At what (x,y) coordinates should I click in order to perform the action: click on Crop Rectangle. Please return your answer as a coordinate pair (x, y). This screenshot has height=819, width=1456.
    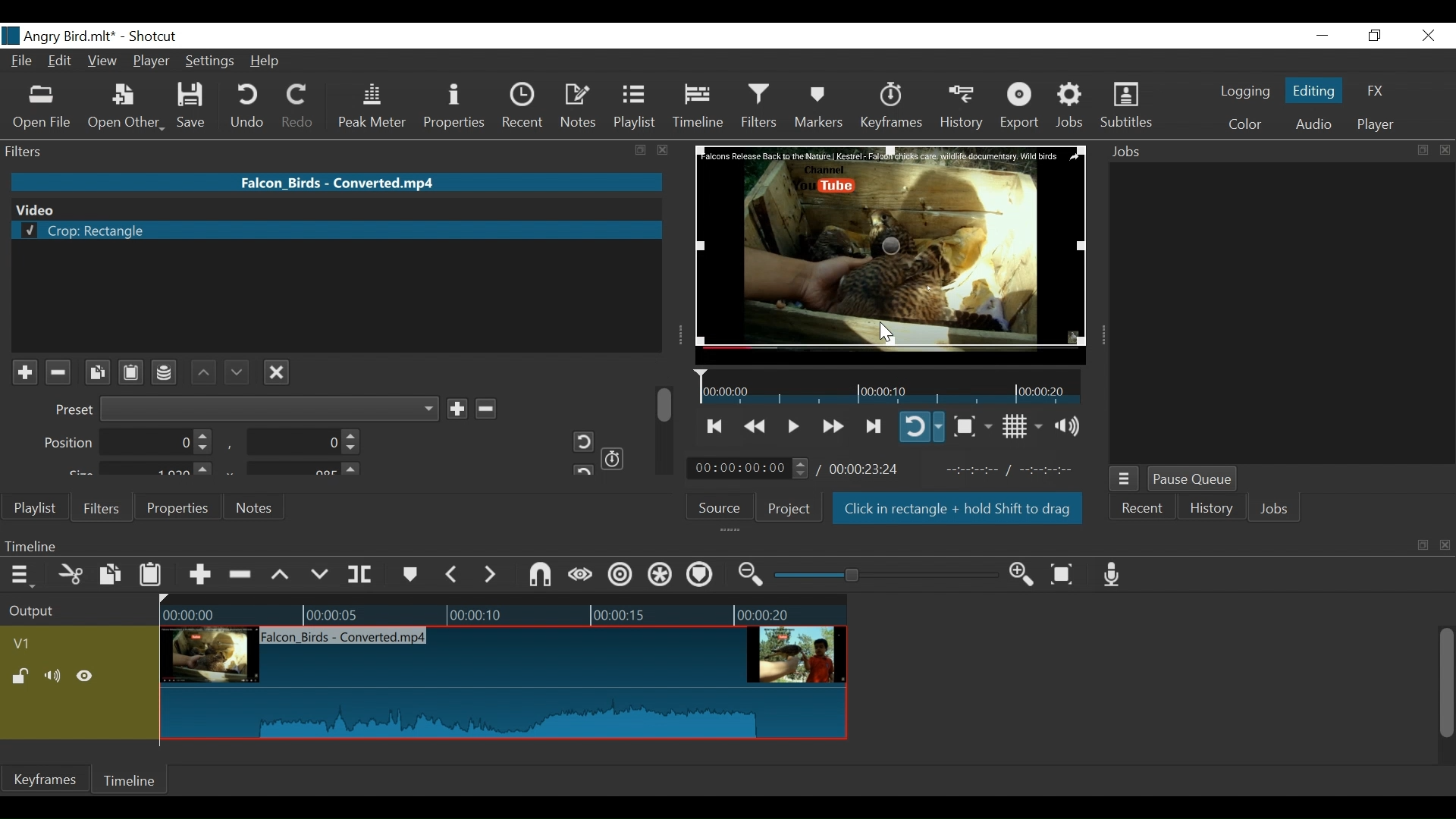
    Looking at the image, I should click on (336, 231).